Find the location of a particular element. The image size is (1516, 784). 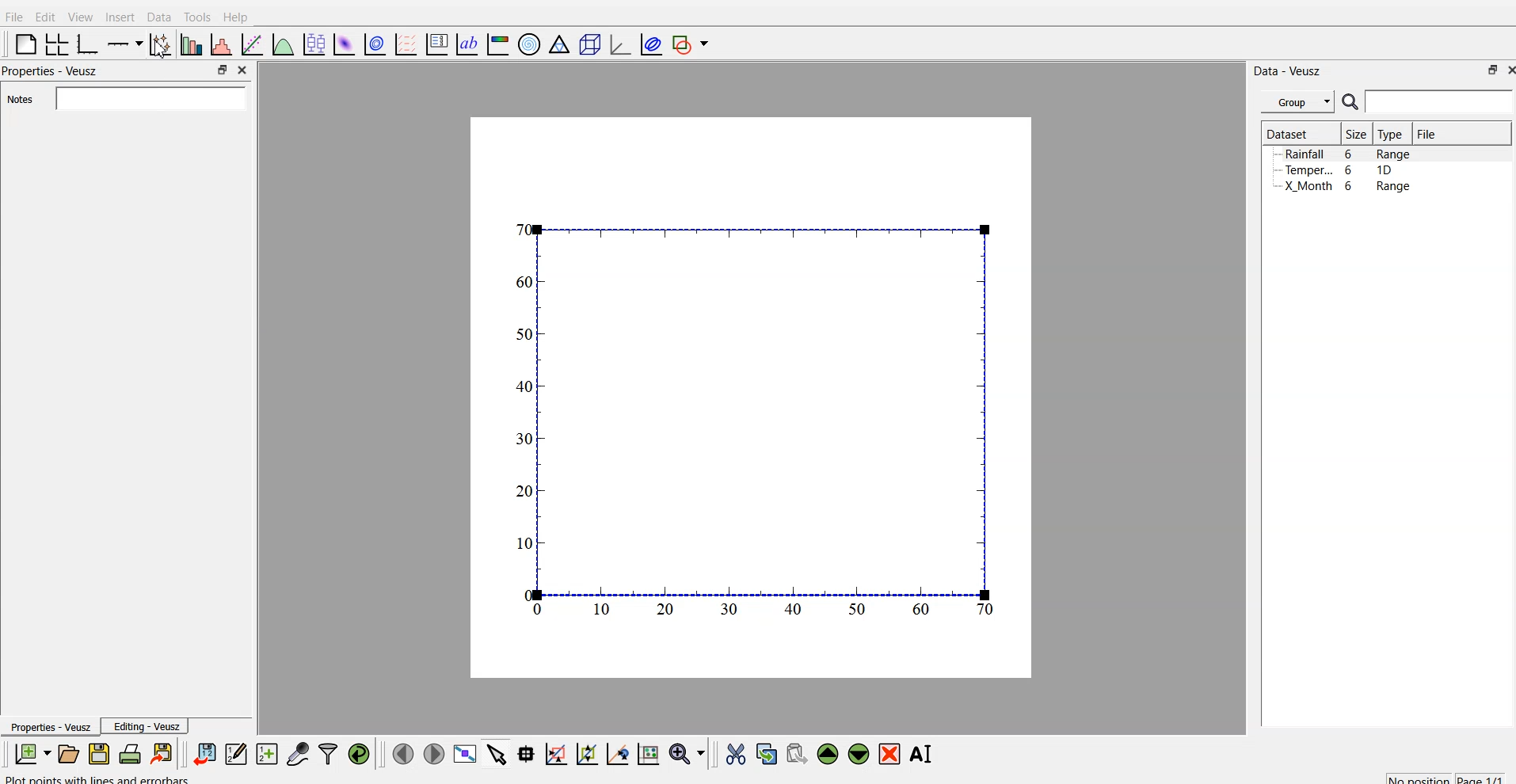

copy the widget is located at coordinates (766, 752).